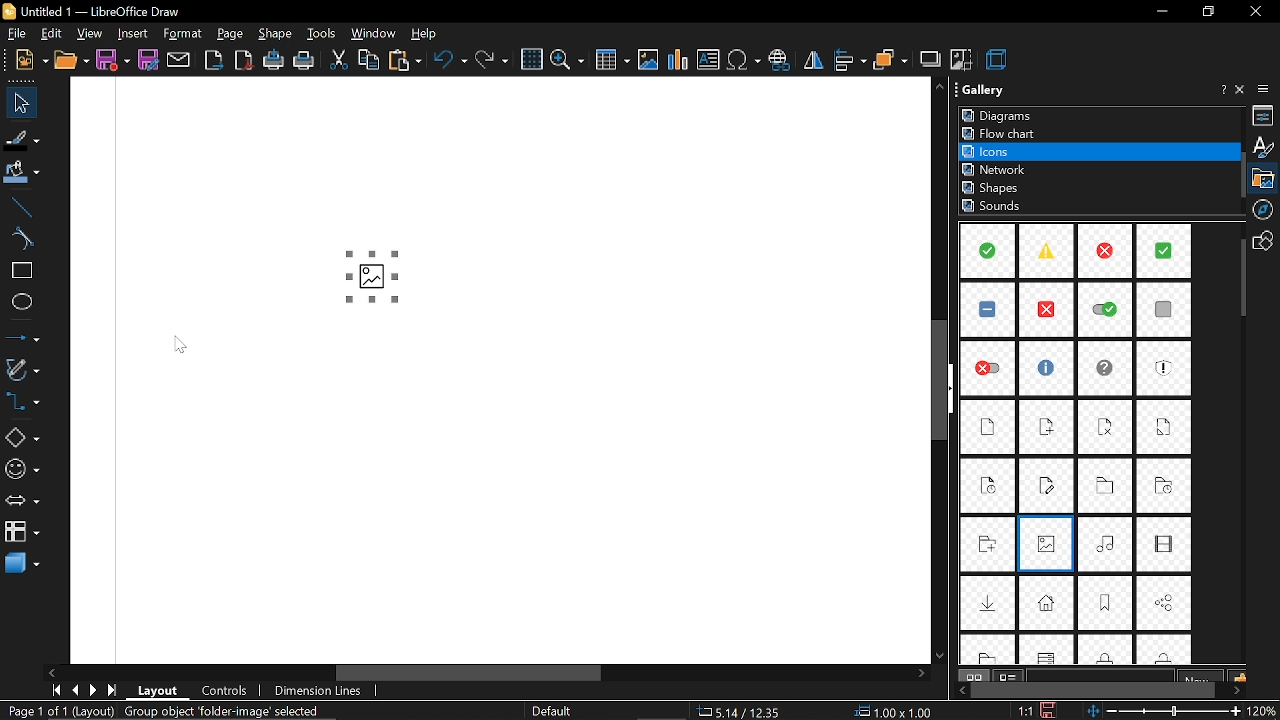 Image resolution: width=1280 pixels, height=720 pixels. I want to click on format, so click(183, 35).